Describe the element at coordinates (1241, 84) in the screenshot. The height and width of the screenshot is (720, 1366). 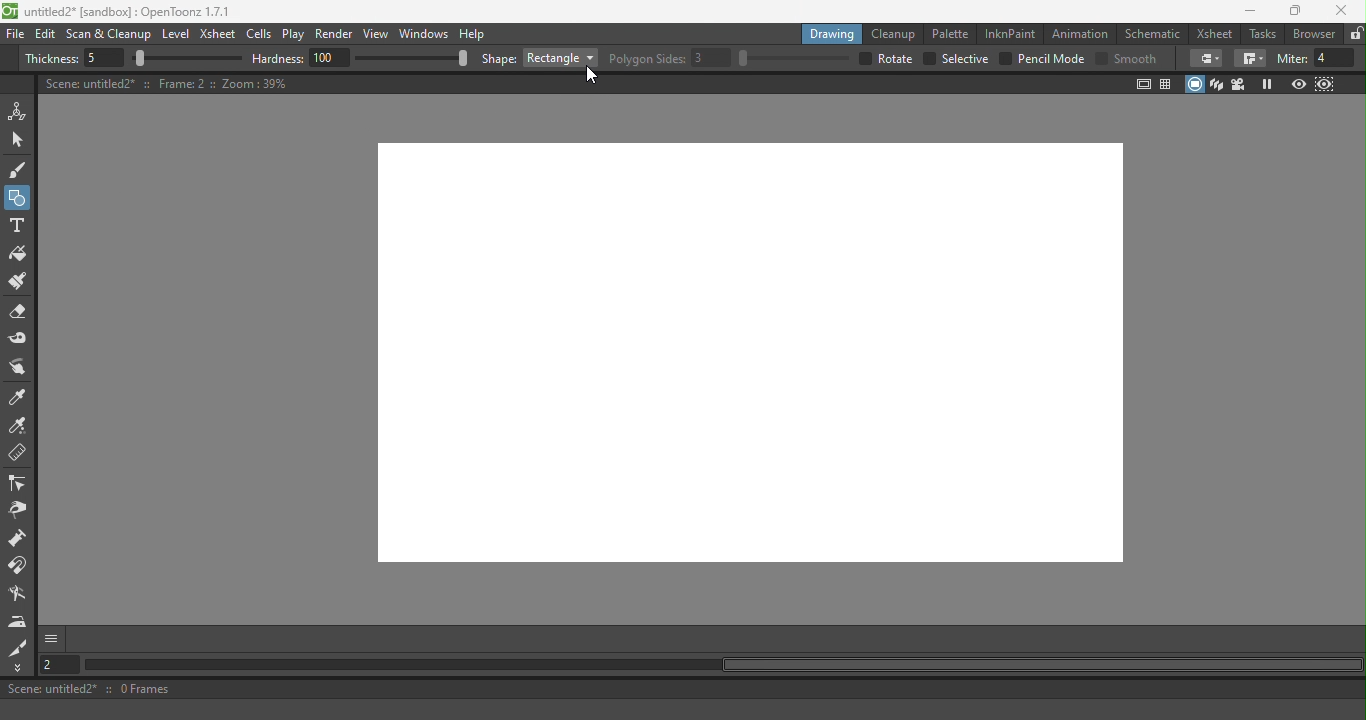
I see `Camera view` at that location.